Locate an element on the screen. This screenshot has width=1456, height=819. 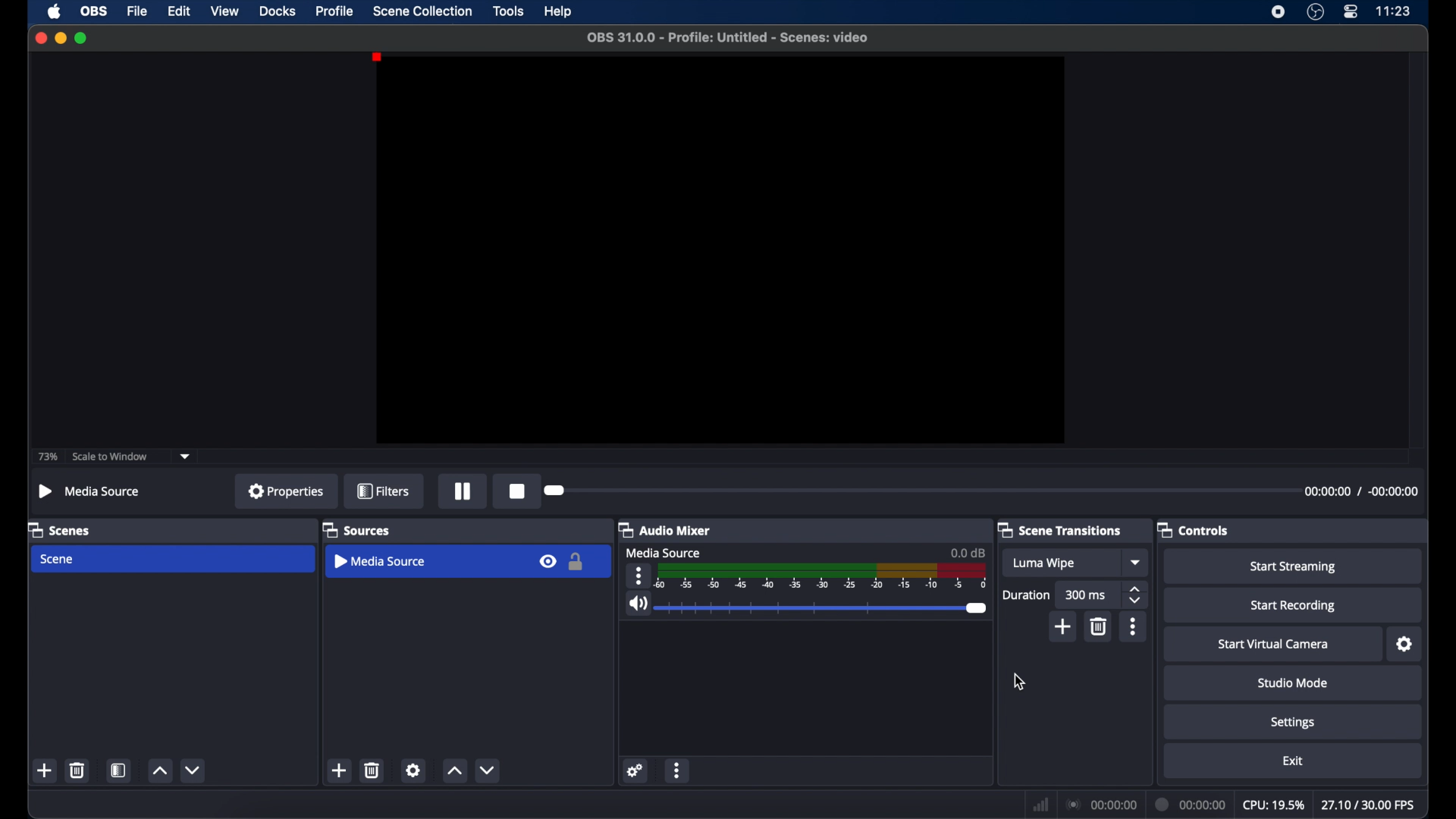
duration is located at coordinates (1192, 805).